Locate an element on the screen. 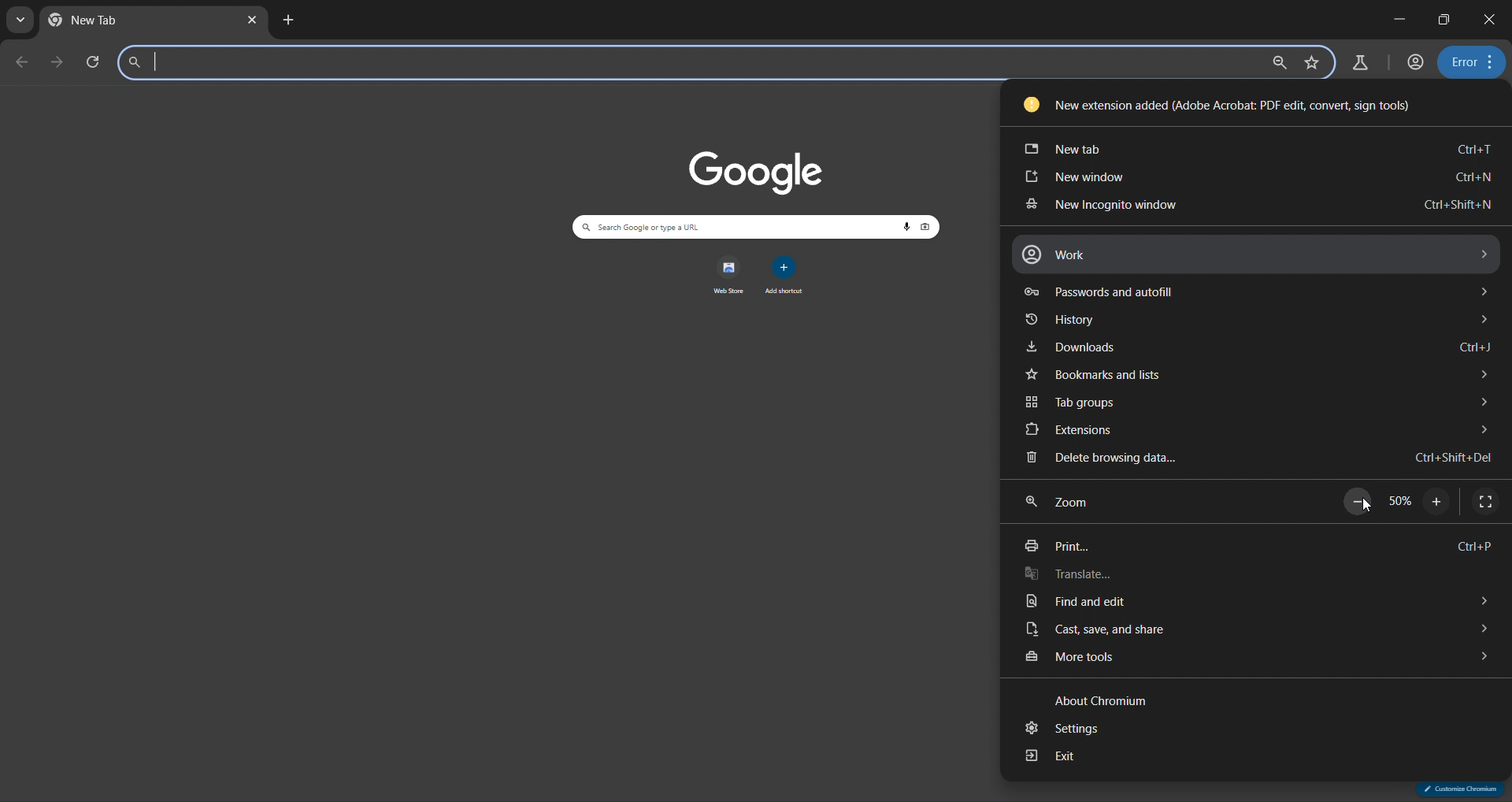  display full screen is located at coordinates (1485, 503).